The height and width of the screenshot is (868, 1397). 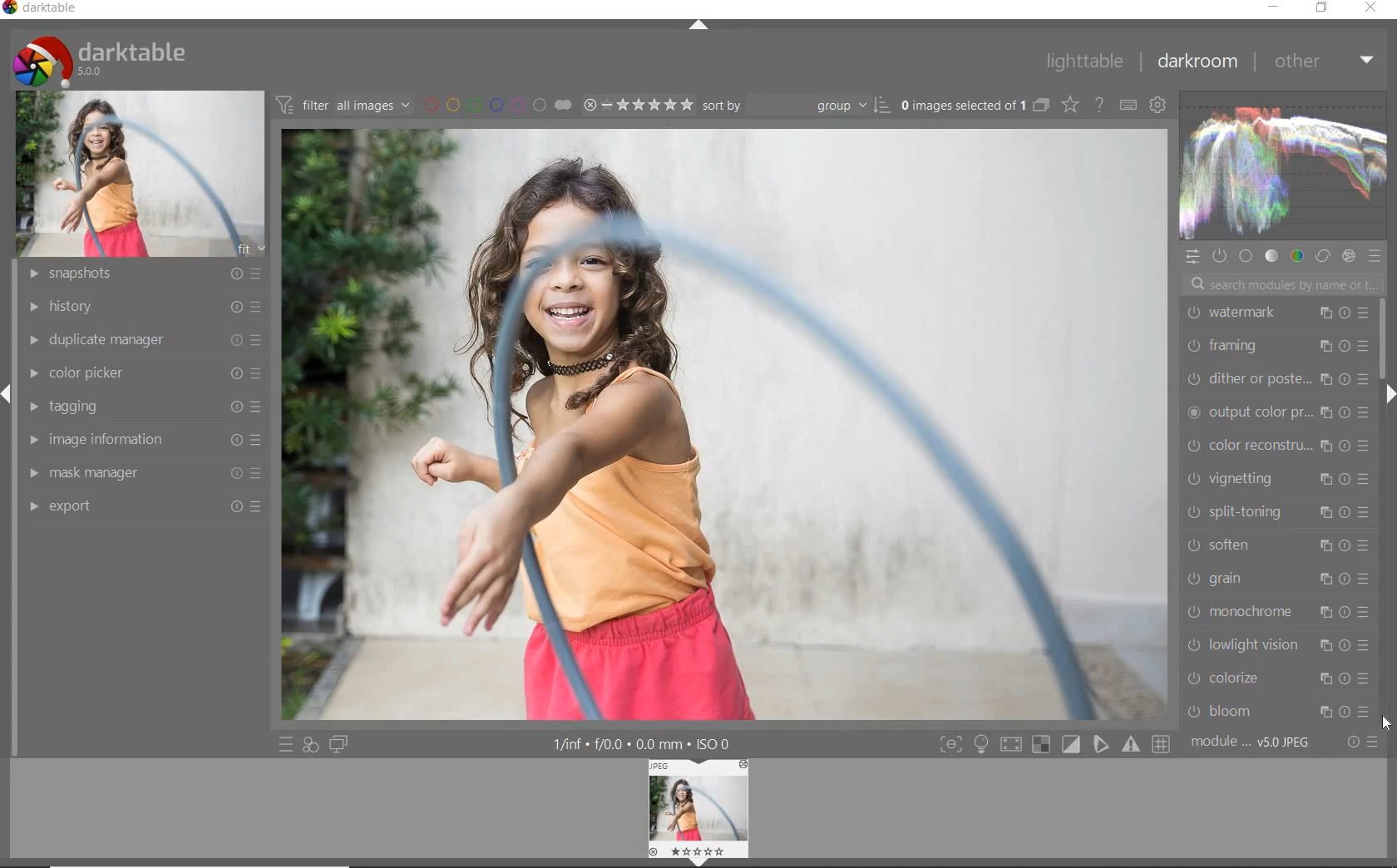 What do you see at coordinates (1276, 479) in the screenshot?
I see `vignetting` at bounding box center [1276, 479].